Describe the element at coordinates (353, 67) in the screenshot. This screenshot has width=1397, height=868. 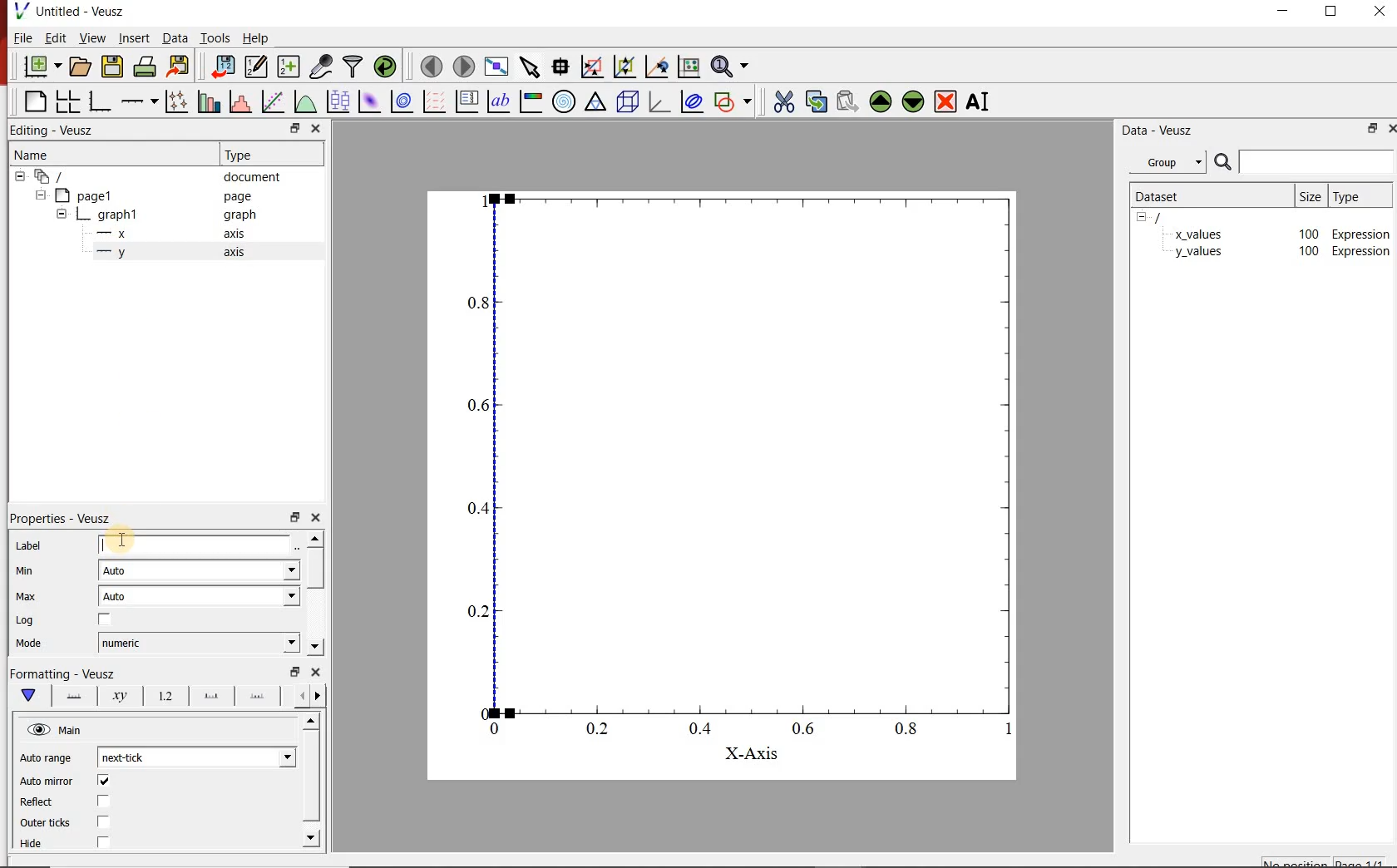
I see `filter data` at that location.